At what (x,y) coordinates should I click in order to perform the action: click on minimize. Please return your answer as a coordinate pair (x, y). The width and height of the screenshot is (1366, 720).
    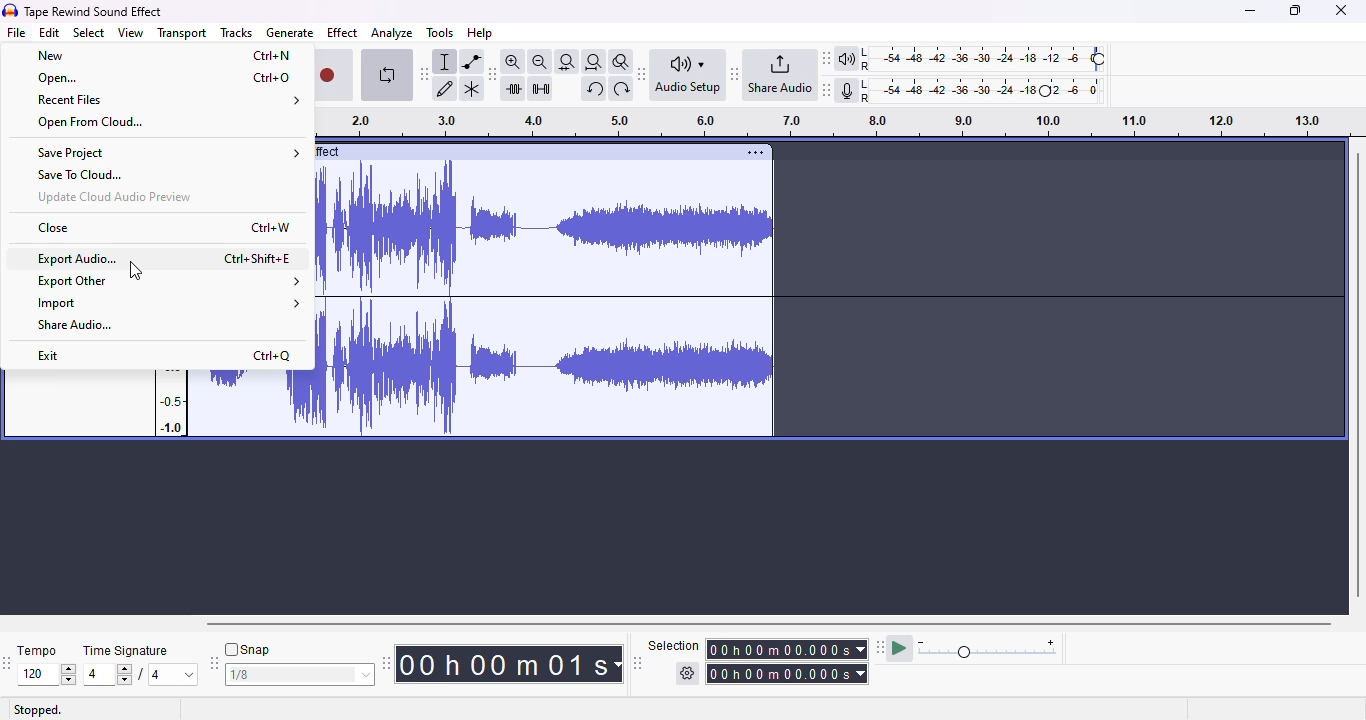
    Looking at the image, I should click on (1249, 11).